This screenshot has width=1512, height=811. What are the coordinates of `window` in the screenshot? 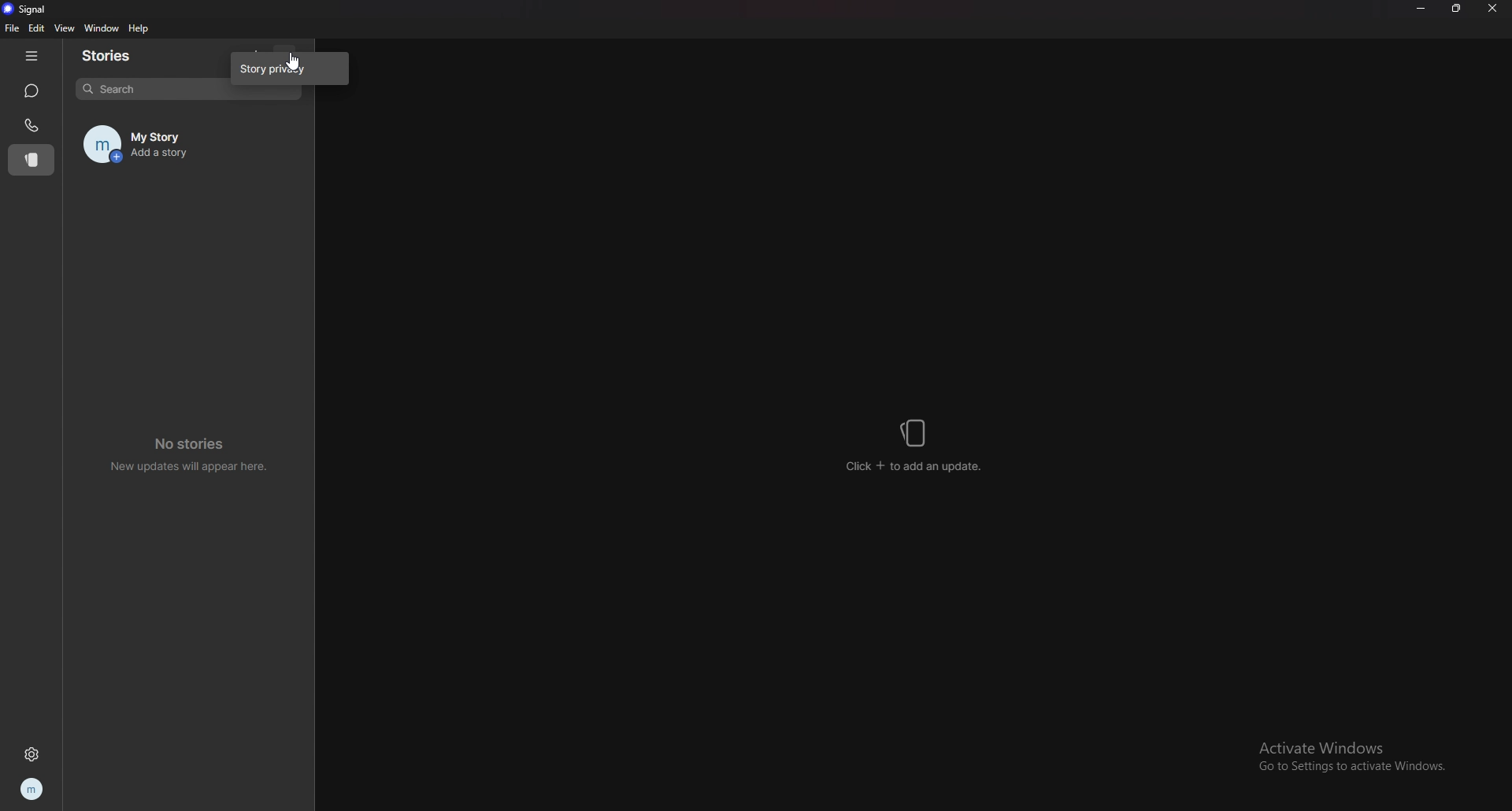 It's located at (100, 28).